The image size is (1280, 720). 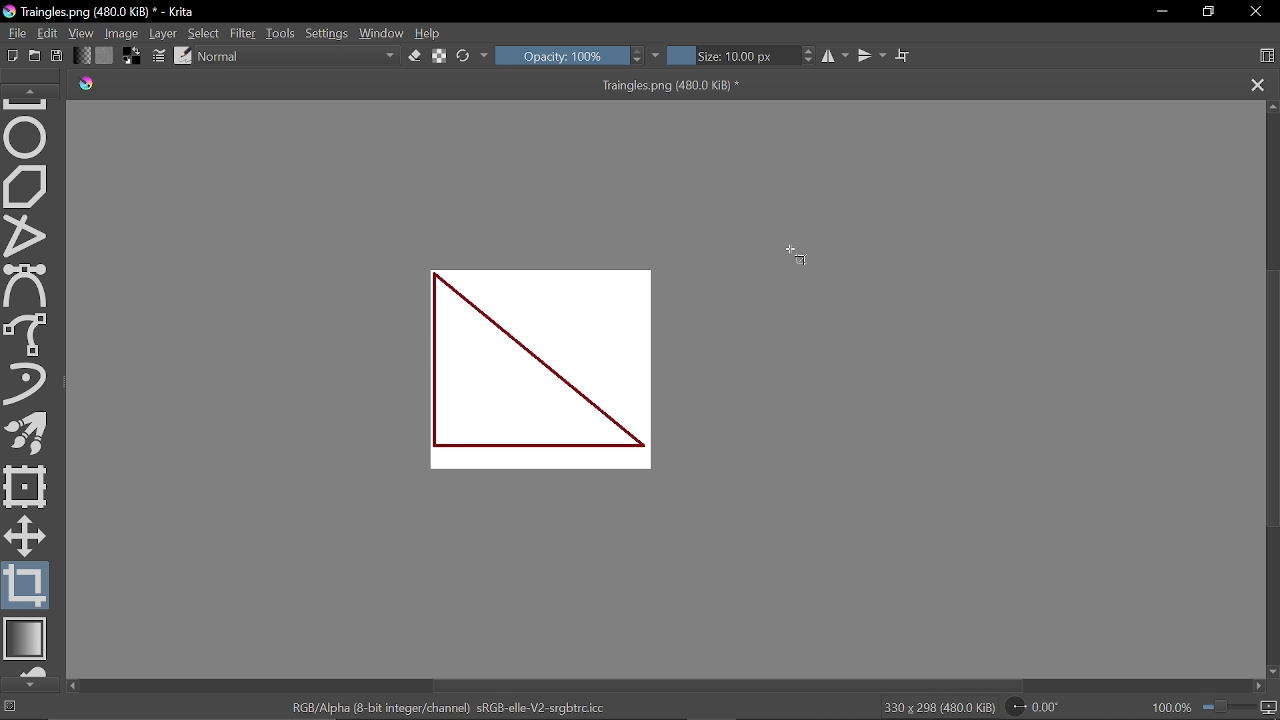 I want to click on Select, so click(x=205, y=34).